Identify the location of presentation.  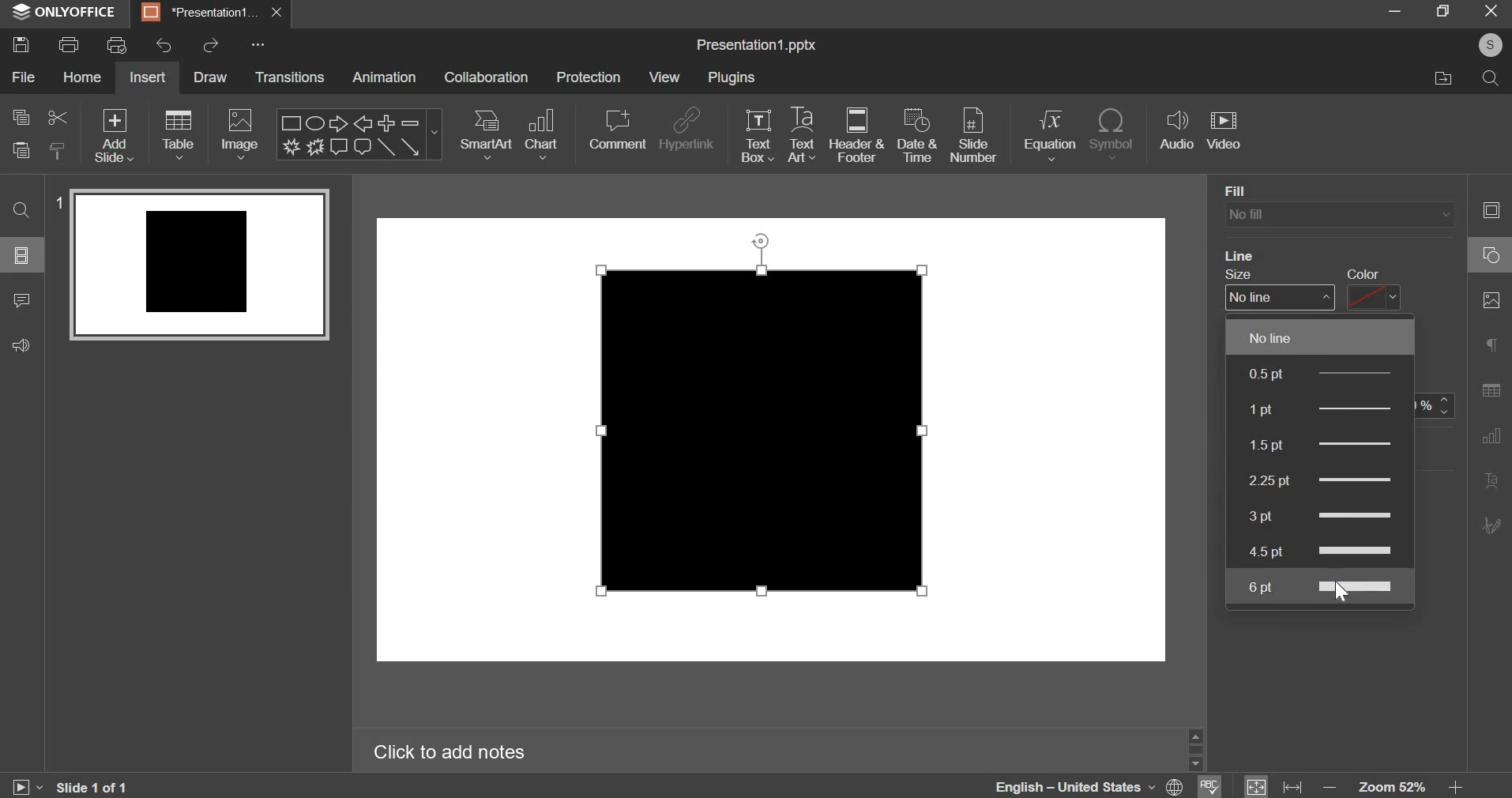
(211, 13).